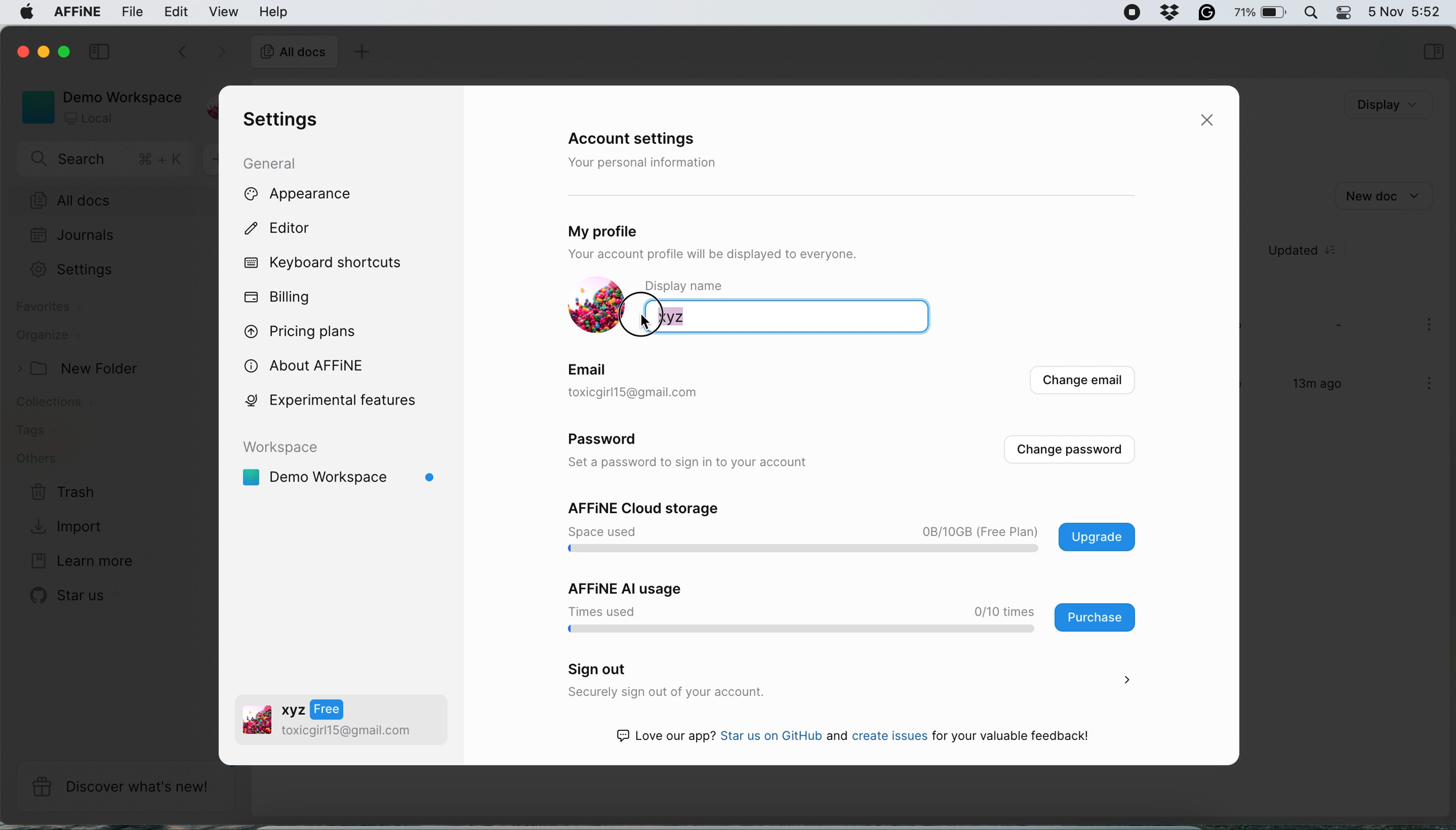  Describe the element at coordinates (856, 529) in the screenshot. I see `affine cloud storage` at that location.